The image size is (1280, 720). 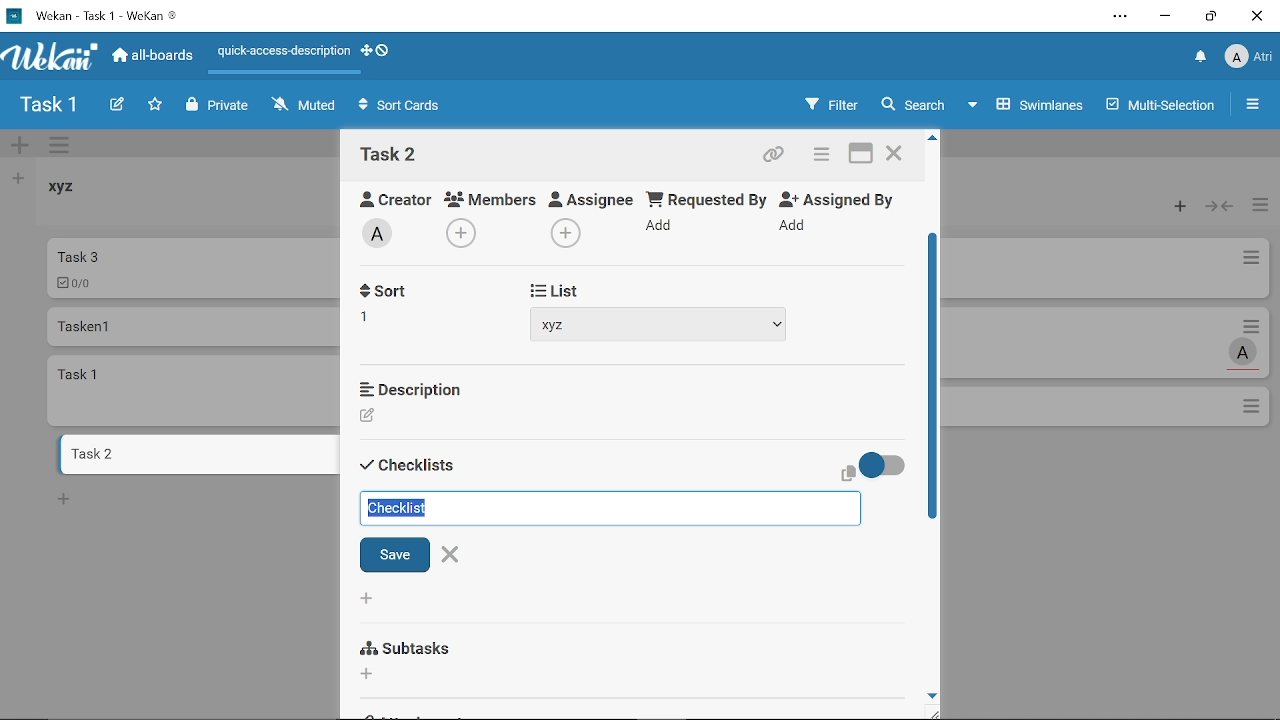 I want to click on Vertical scrollbar, so click(x=935, y=374).